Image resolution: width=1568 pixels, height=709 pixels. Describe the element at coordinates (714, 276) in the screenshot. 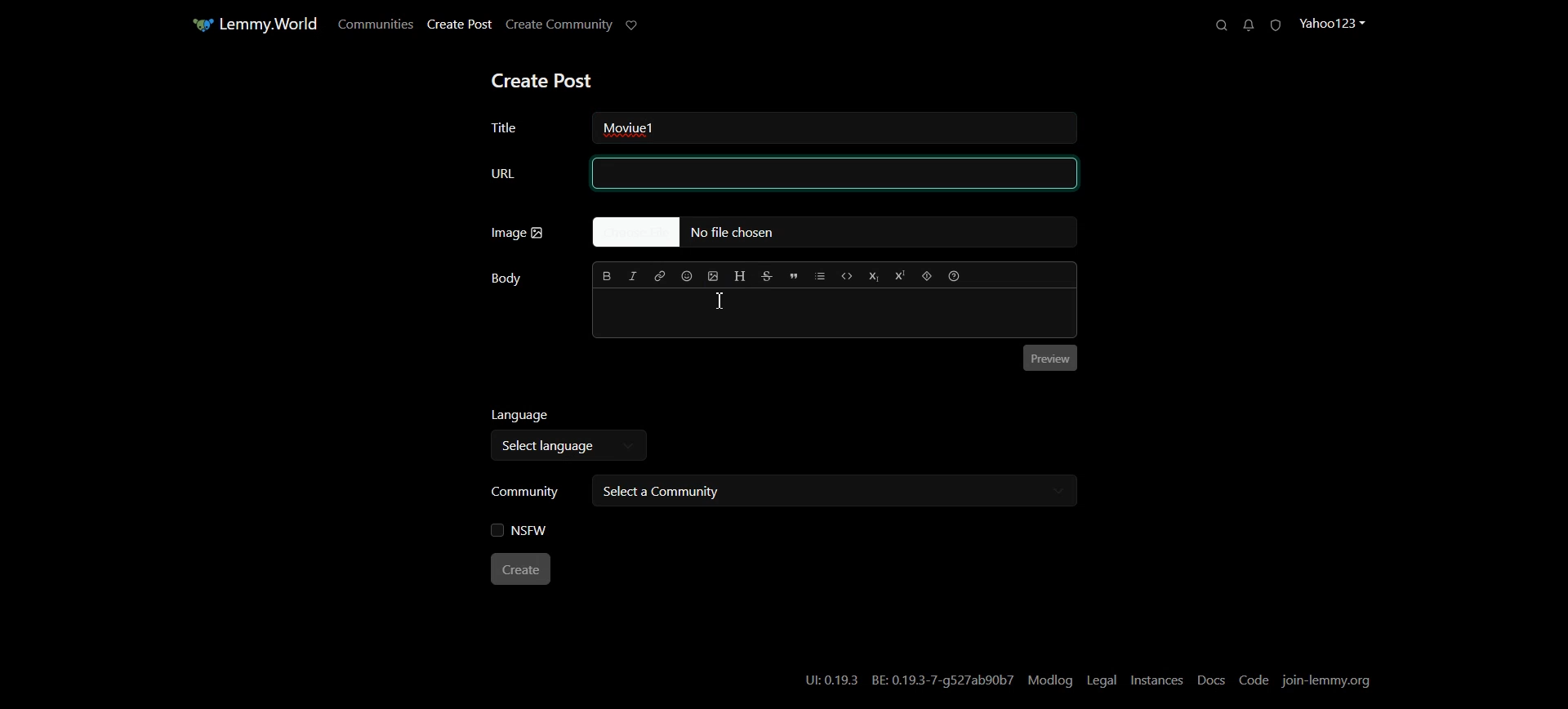

I see `Upload Image` at that location.